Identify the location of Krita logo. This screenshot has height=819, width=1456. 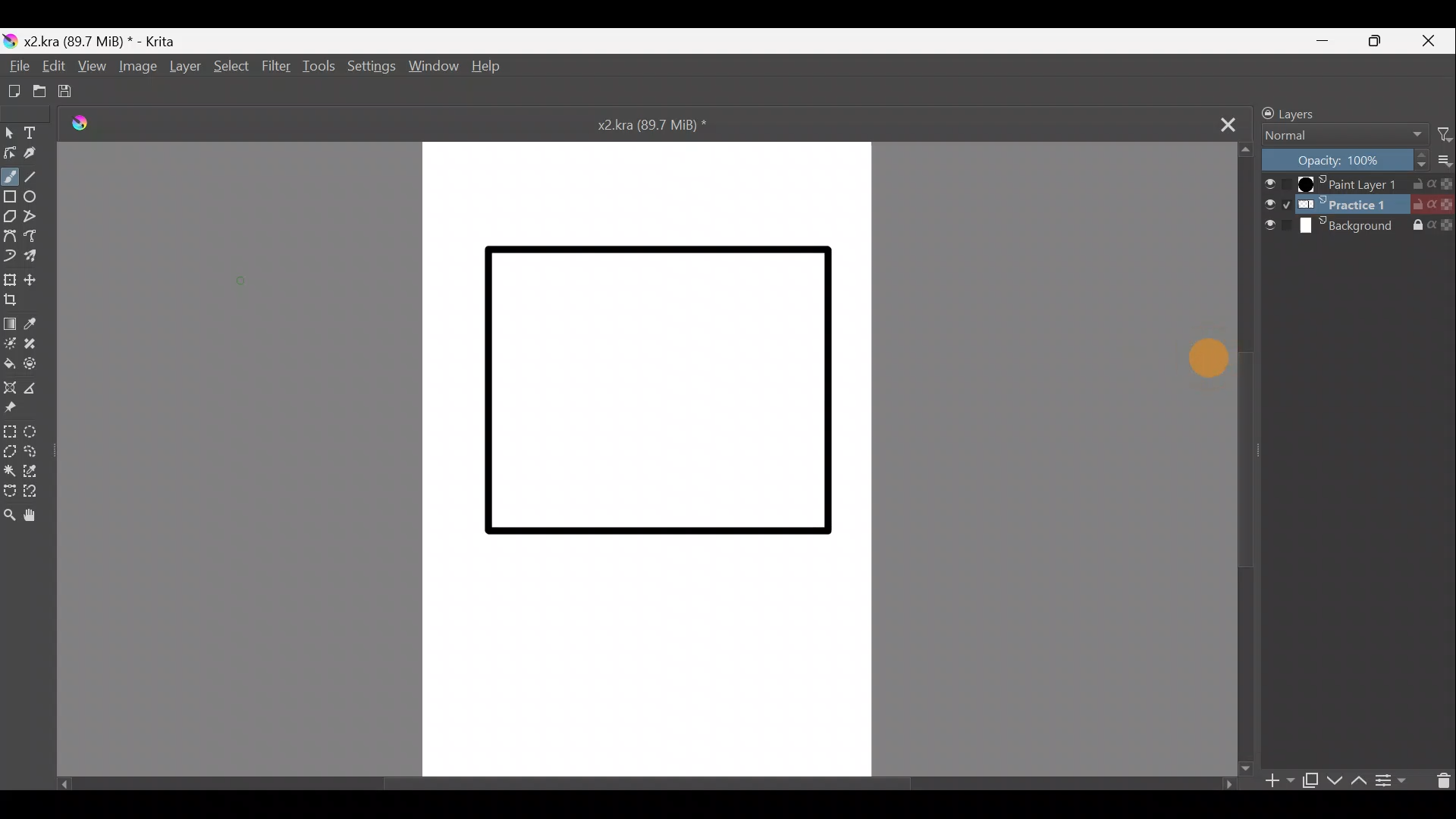
(10, 42).